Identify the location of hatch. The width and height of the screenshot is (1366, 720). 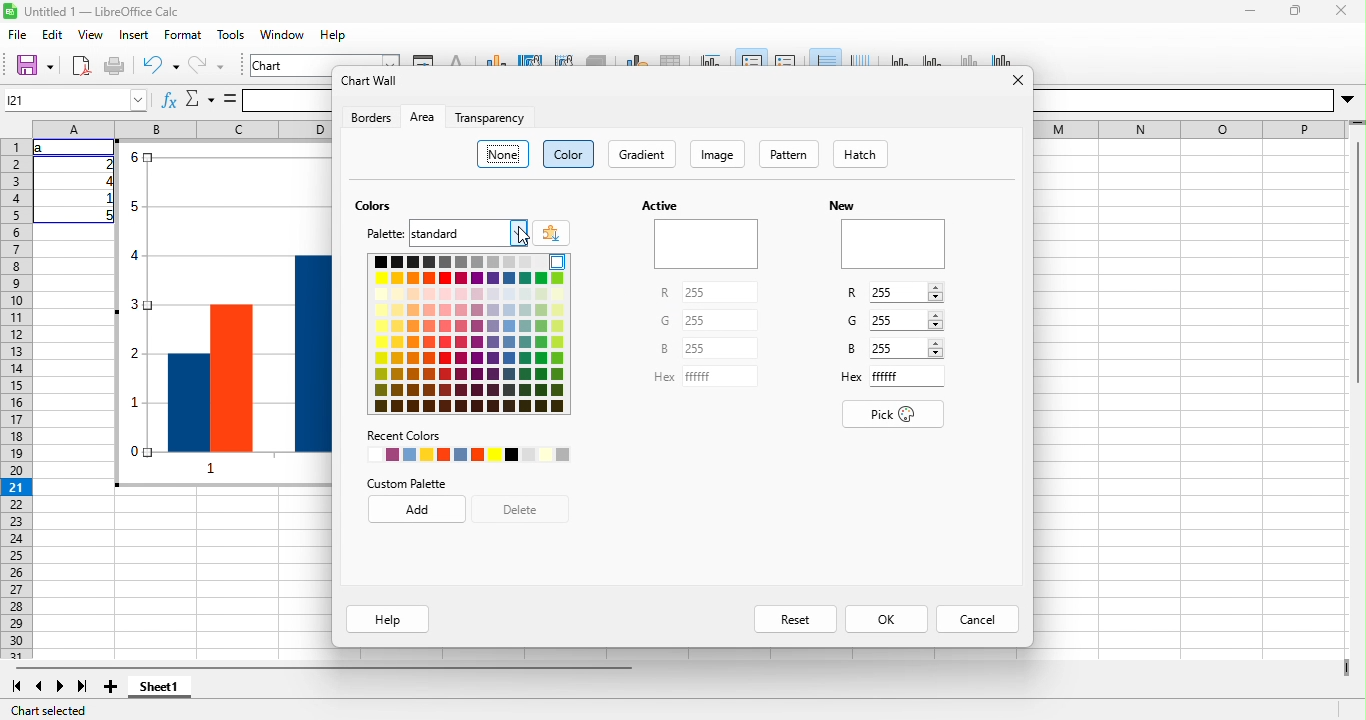
(860, 154).